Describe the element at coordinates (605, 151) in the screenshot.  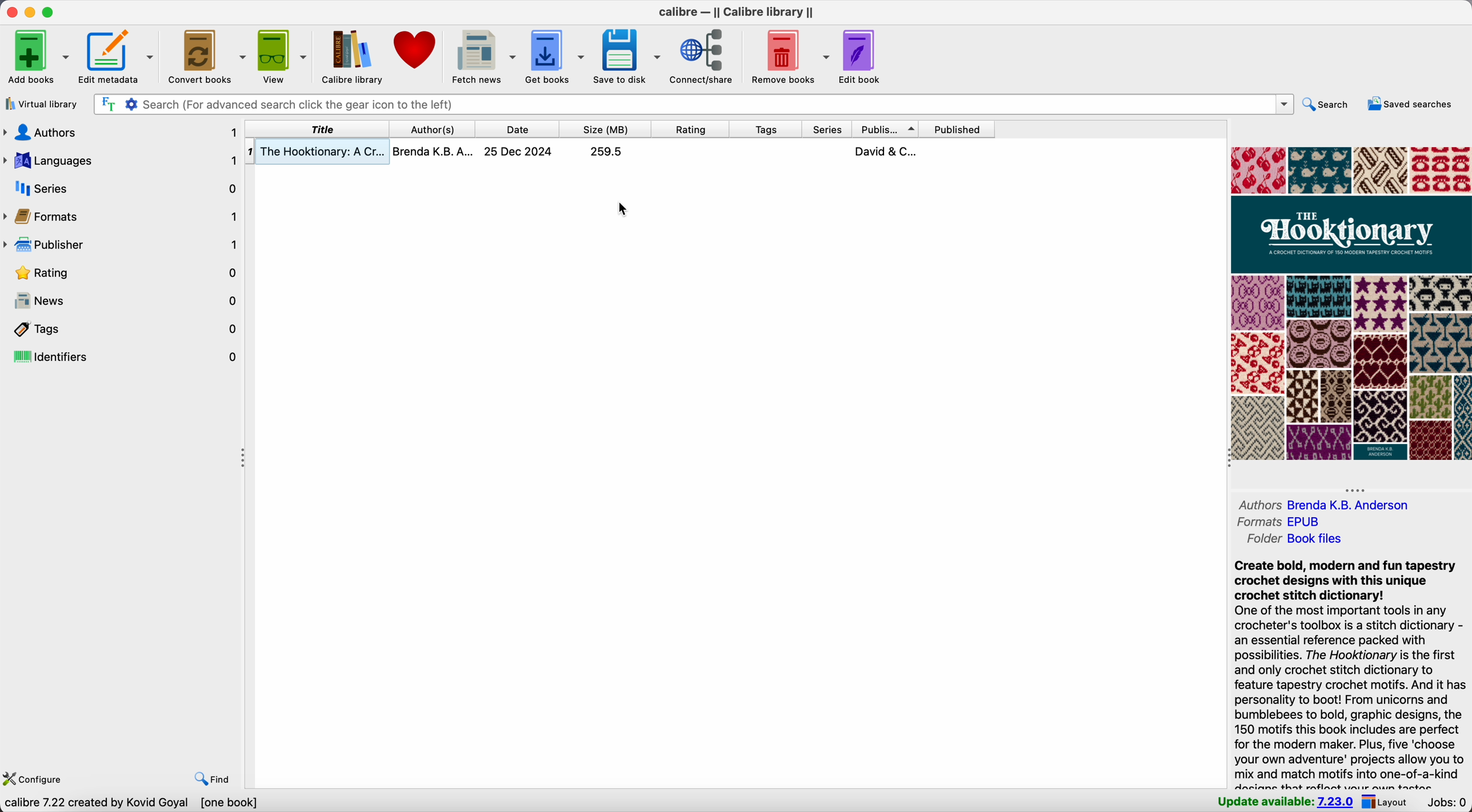
I see `259.5` at that location.